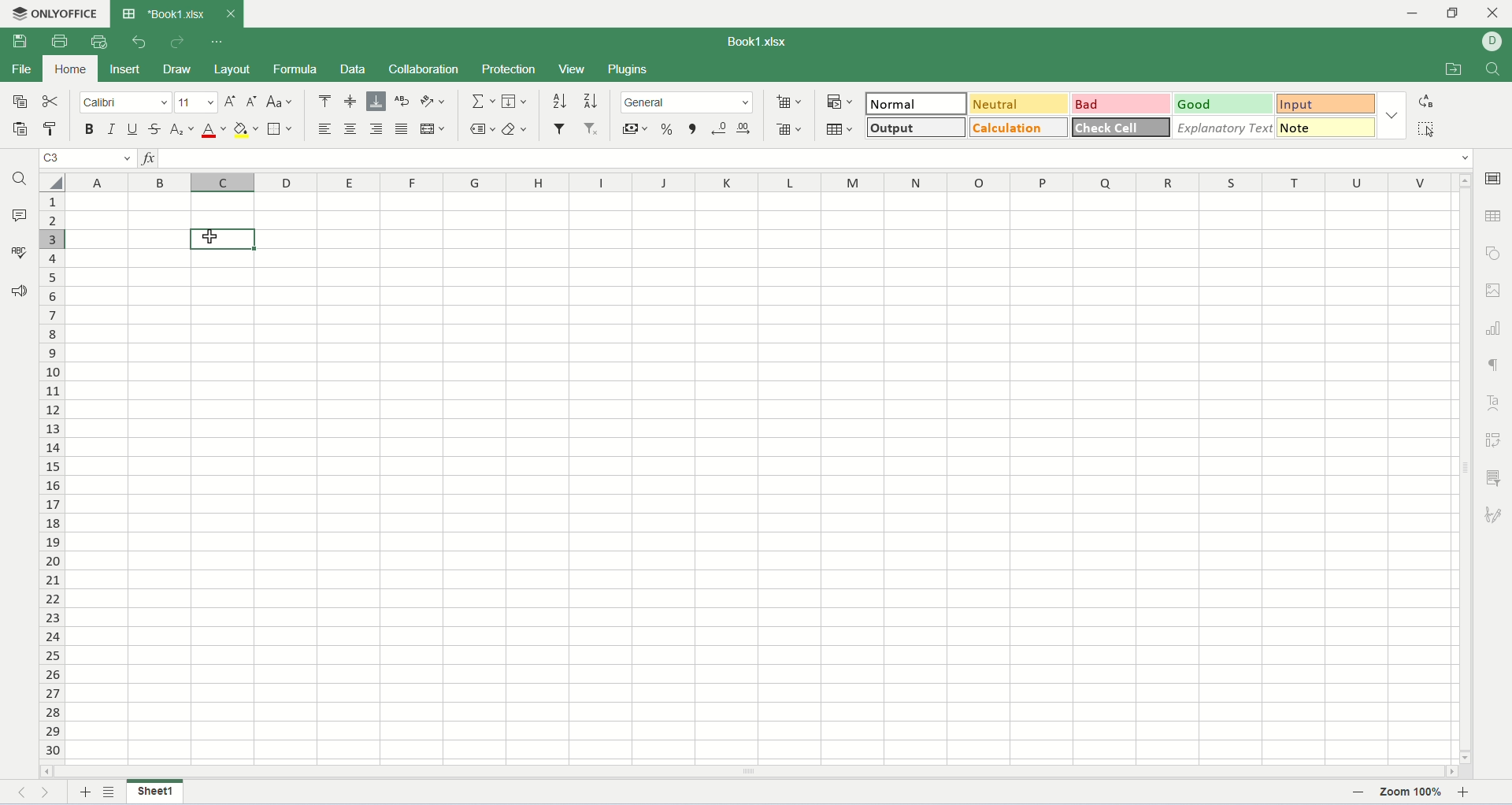  Describe the element at coordinates (210, 239) in the screenshot. I see `cursor` at that location.